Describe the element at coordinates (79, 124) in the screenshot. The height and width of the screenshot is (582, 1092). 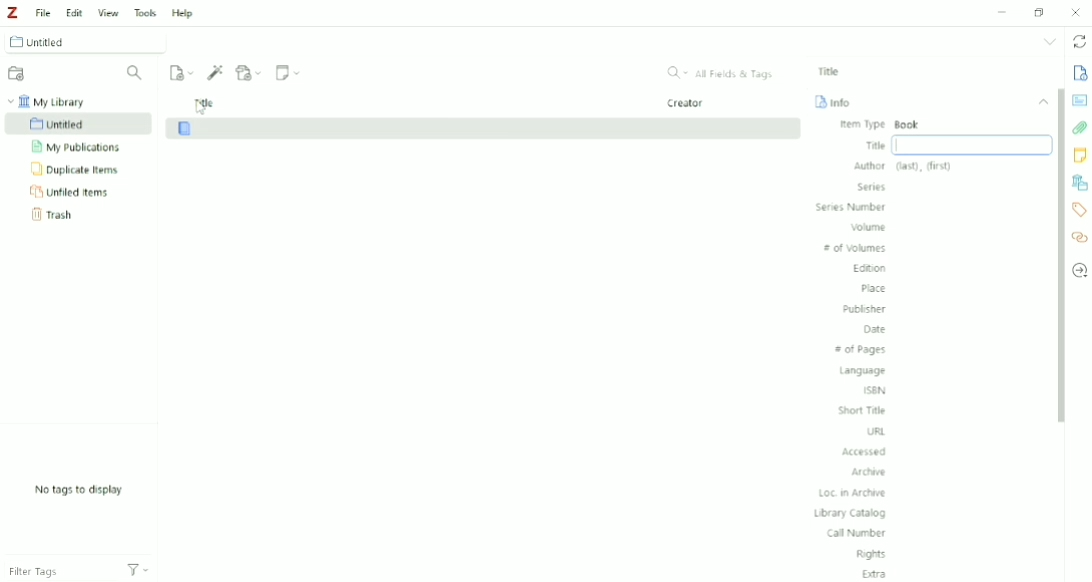
I see `Untitled` at that location.